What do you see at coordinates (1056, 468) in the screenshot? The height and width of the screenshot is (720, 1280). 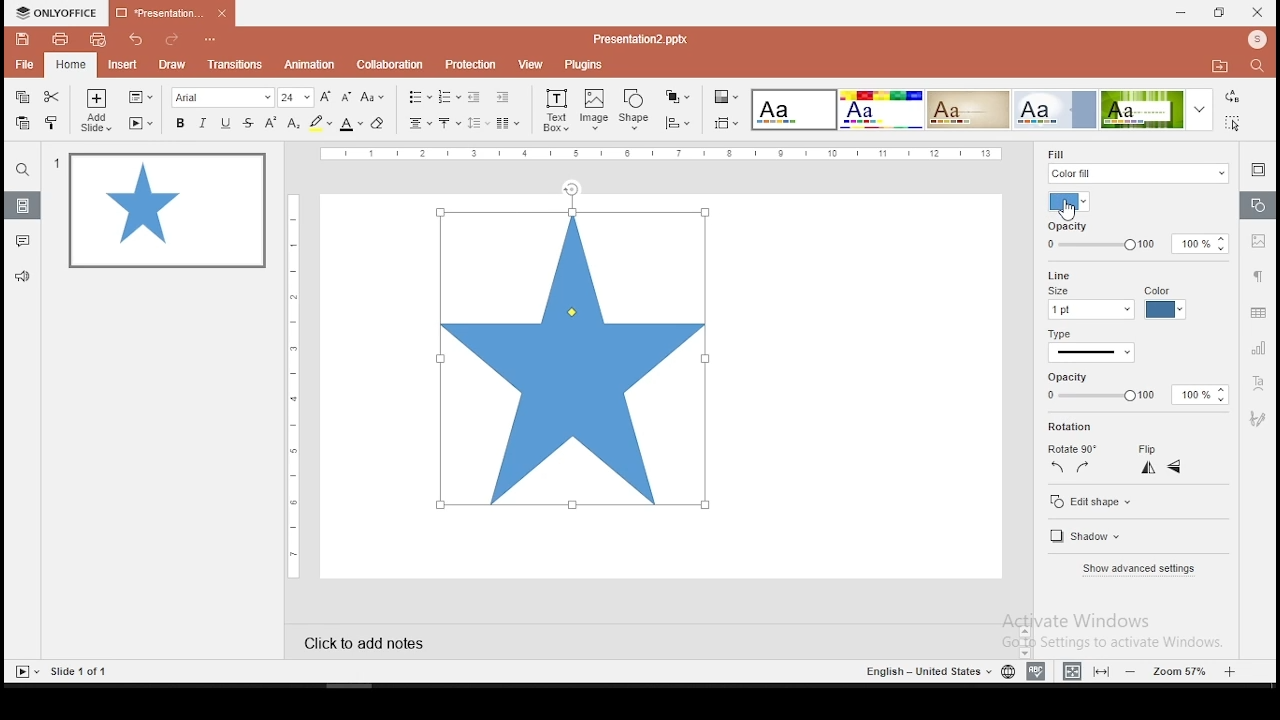 I see `rotate 90 counterclockwise` at bounding box center [1056, 468].